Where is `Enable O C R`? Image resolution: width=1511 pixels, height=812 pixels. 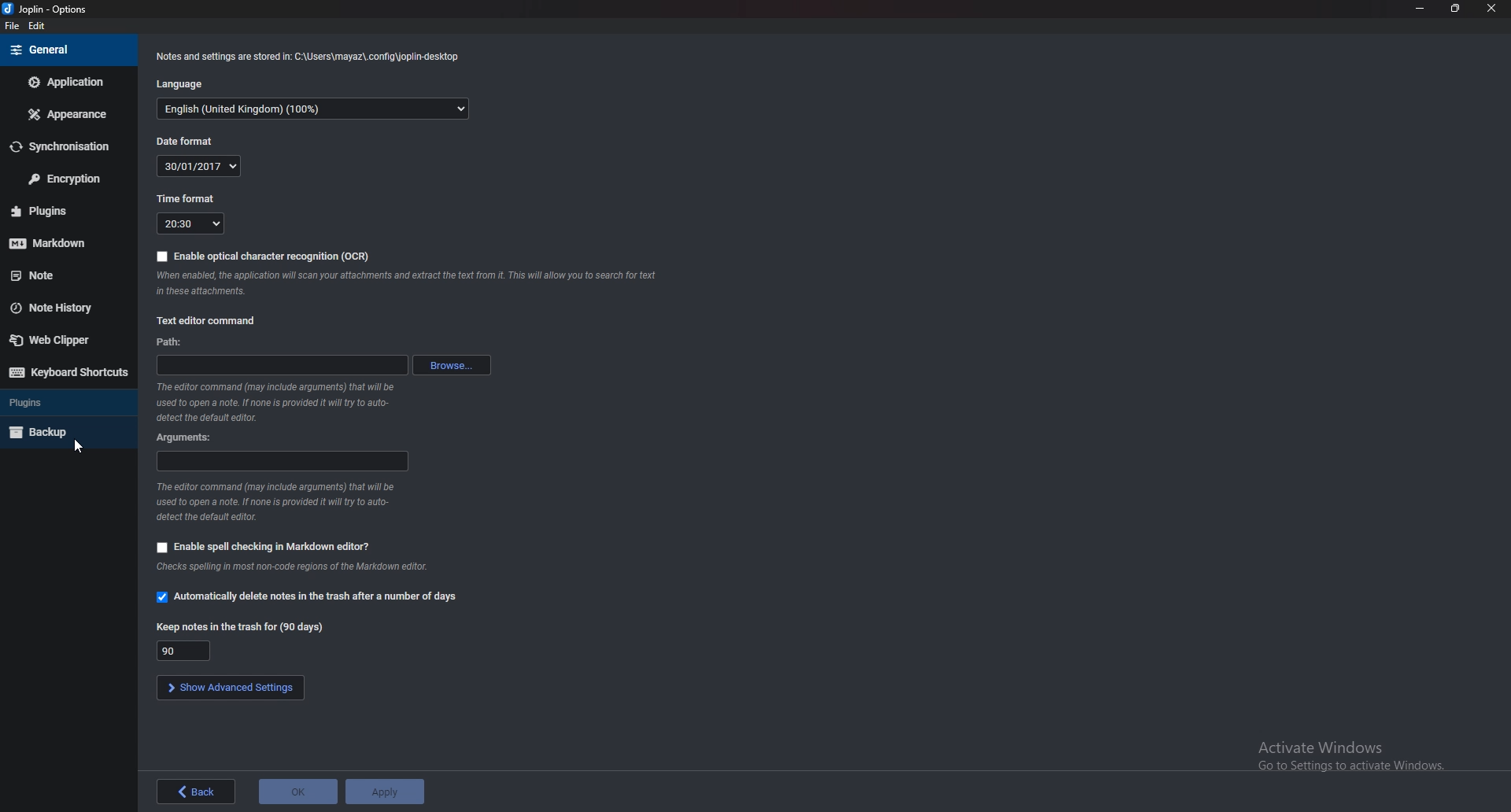
Enable O C R is located at coordinates (266, 254).